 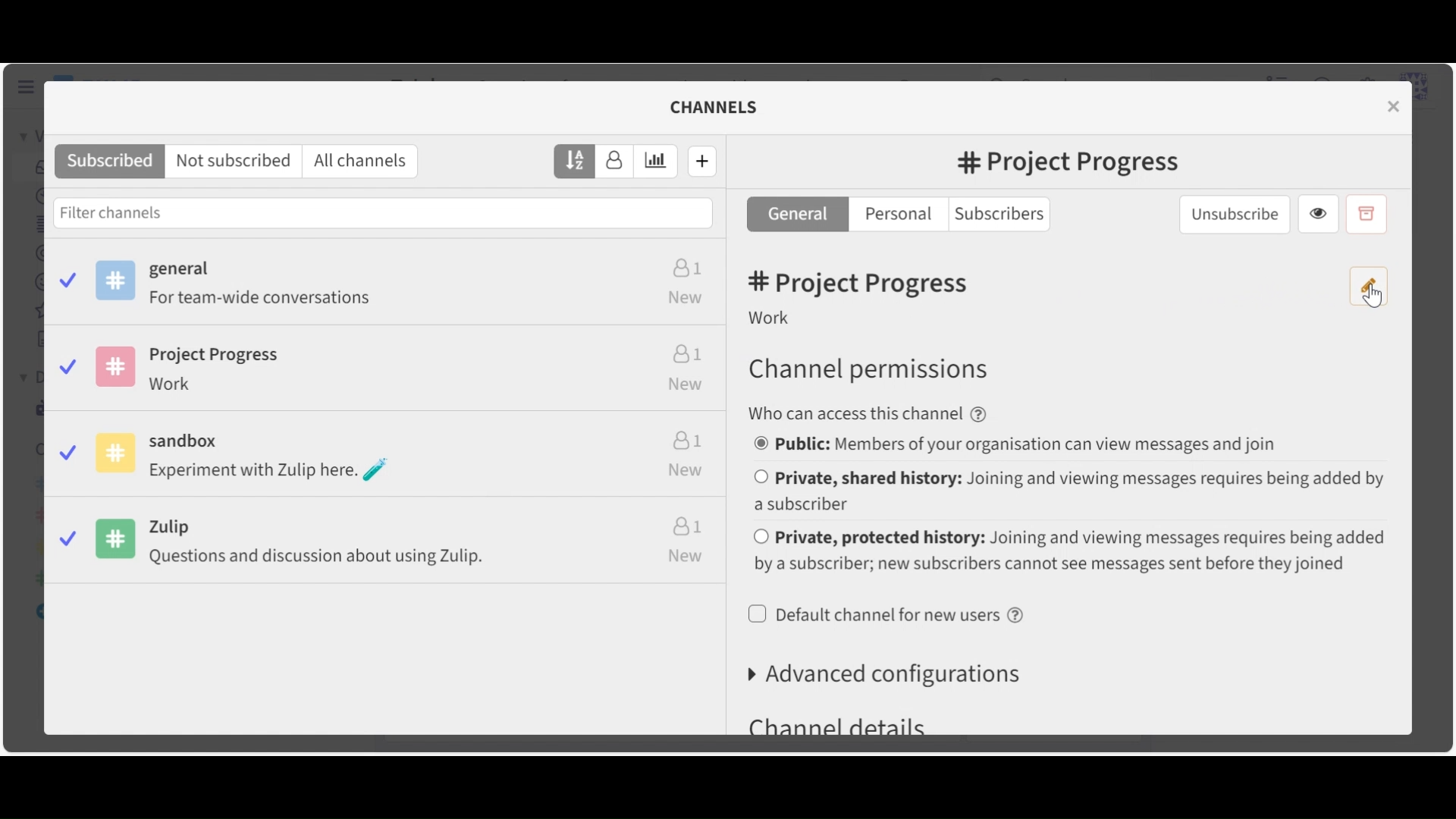 What do you see at coordinates (654, 161) in the screenshot?
I see `Sort by weekly estimated traffic` at bounding box center [654, 161].